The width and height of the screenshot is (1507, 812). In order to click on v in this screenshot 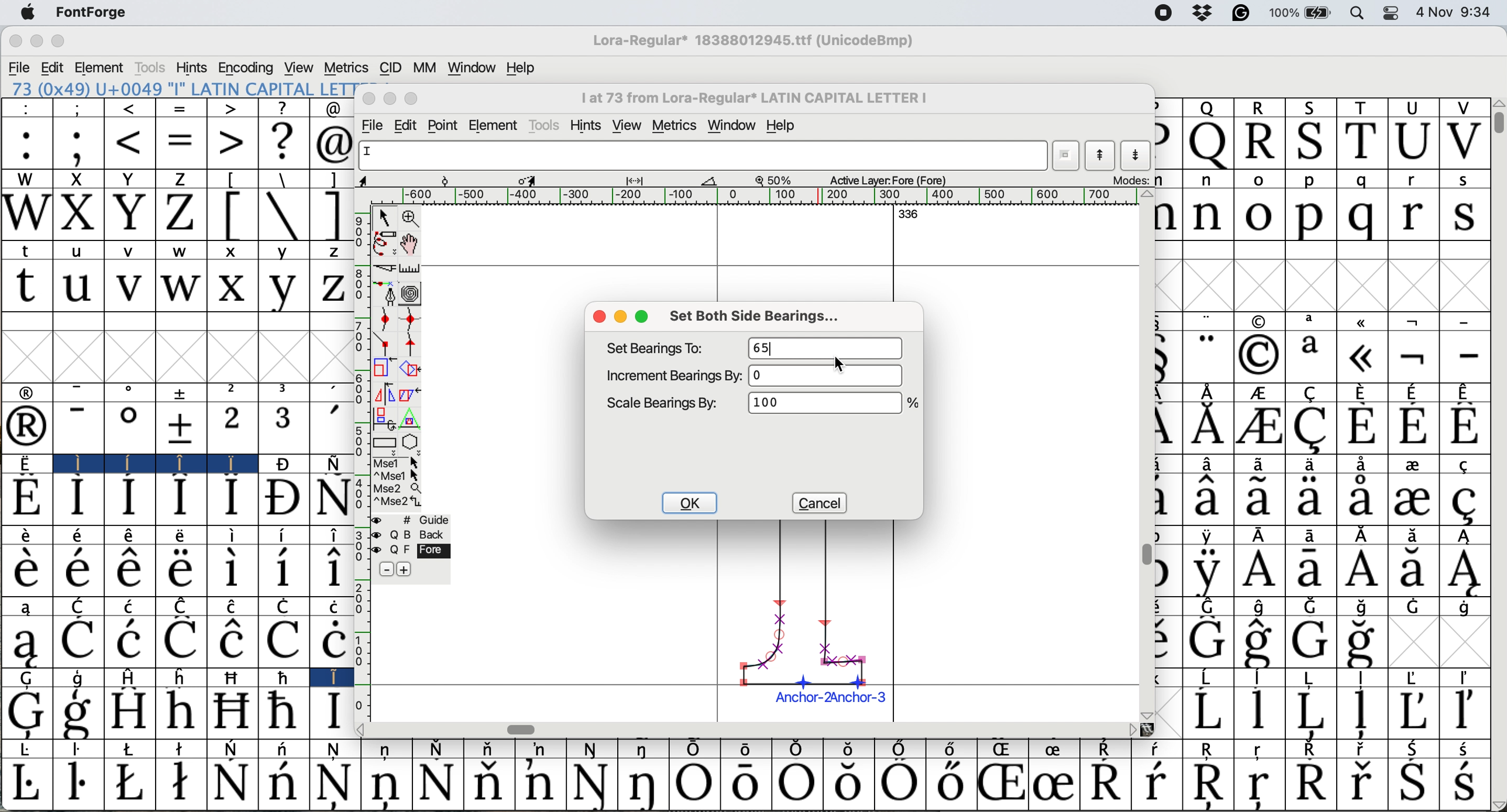, I will do `click(131, 253)`.